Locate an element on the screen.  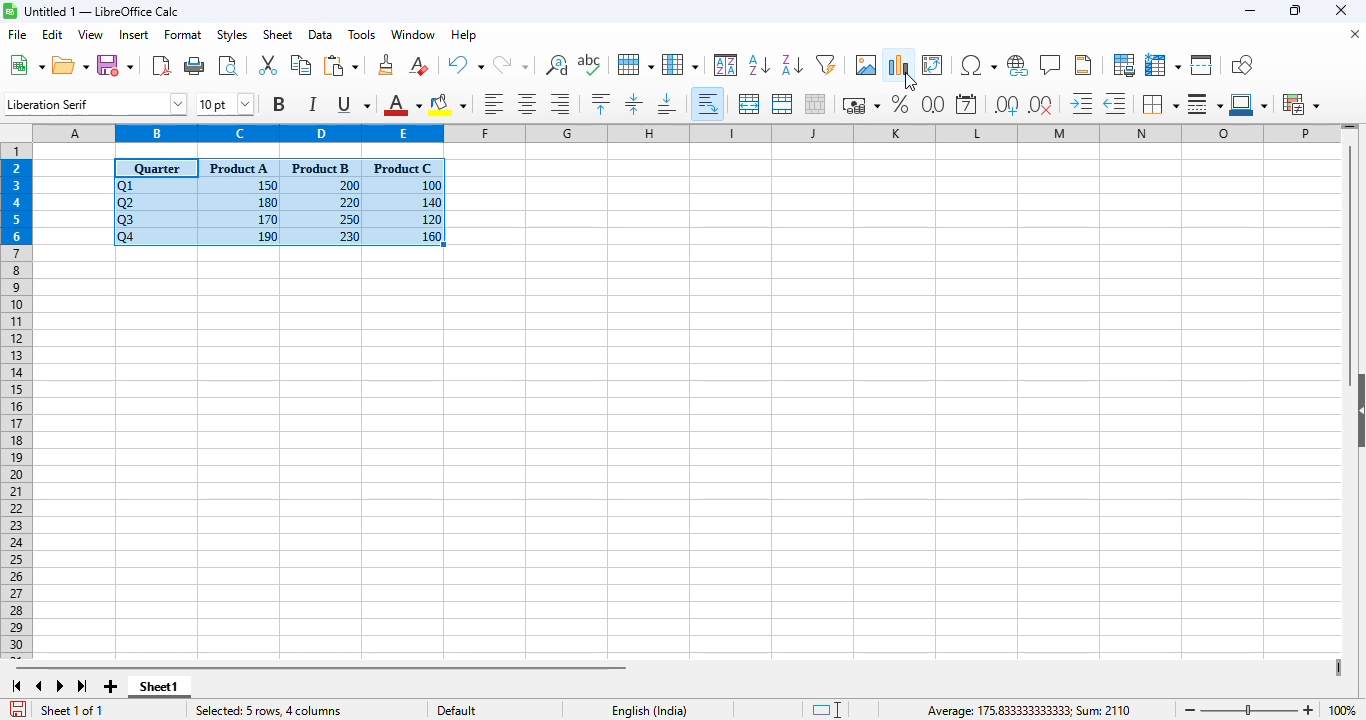
close is located at coordinates (1340, 10).